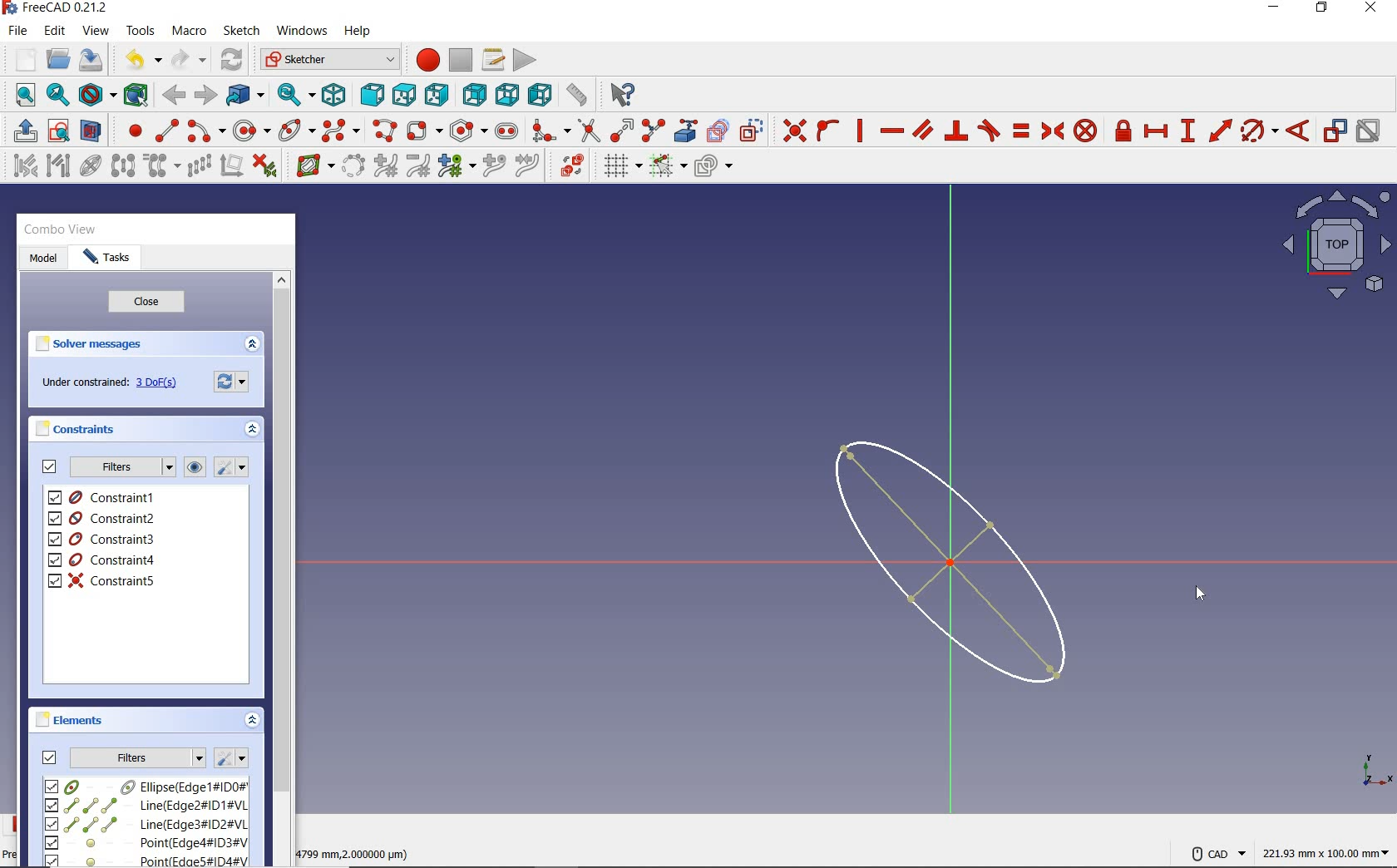 The width and height of the screenshot is (1397, 868). Describe the element at coordinates (97, 30) in the screenshot. I see `view` at that location.